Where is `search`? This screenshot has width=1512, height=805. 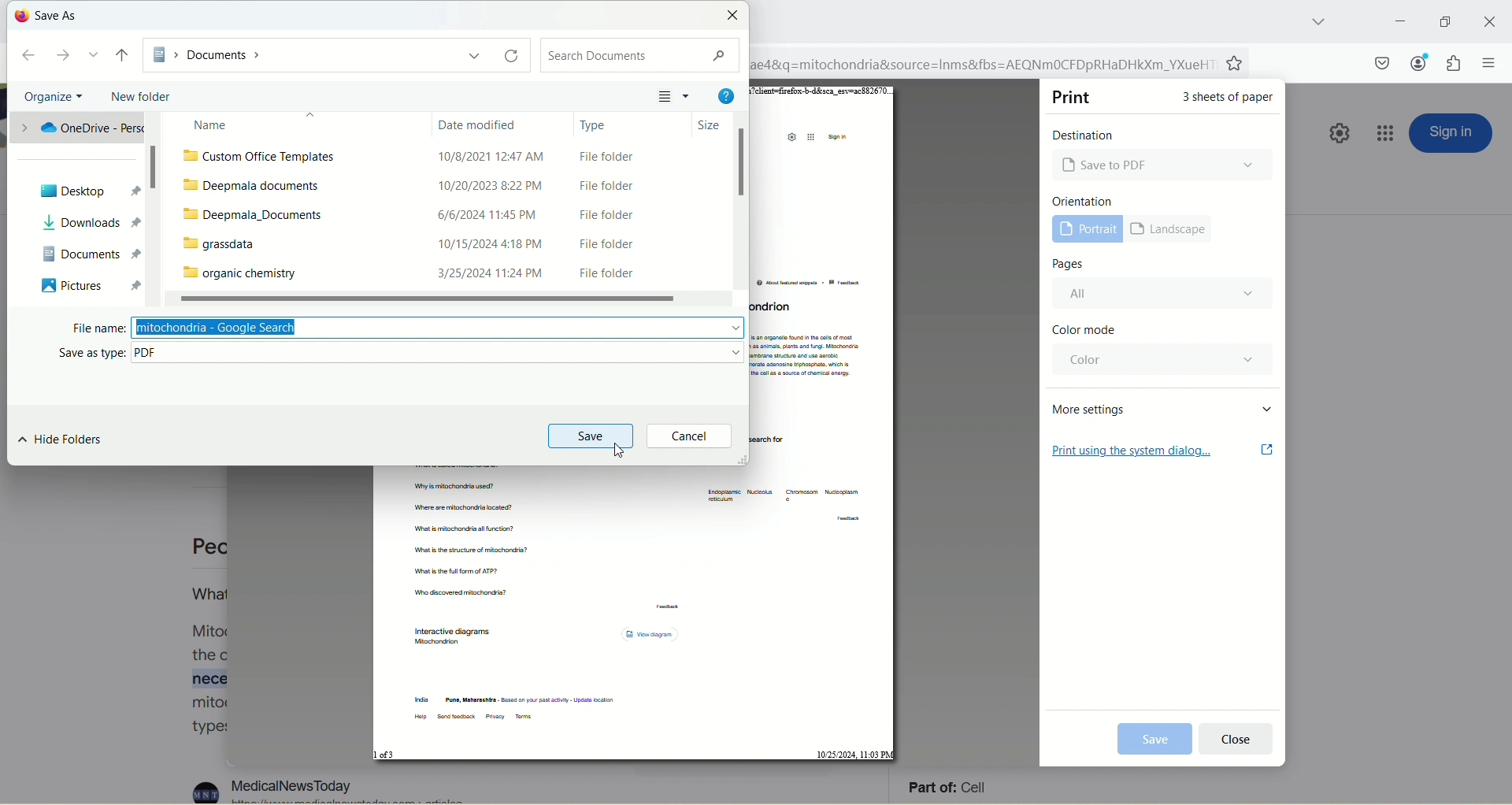 search is located at coordinates (639, 54).